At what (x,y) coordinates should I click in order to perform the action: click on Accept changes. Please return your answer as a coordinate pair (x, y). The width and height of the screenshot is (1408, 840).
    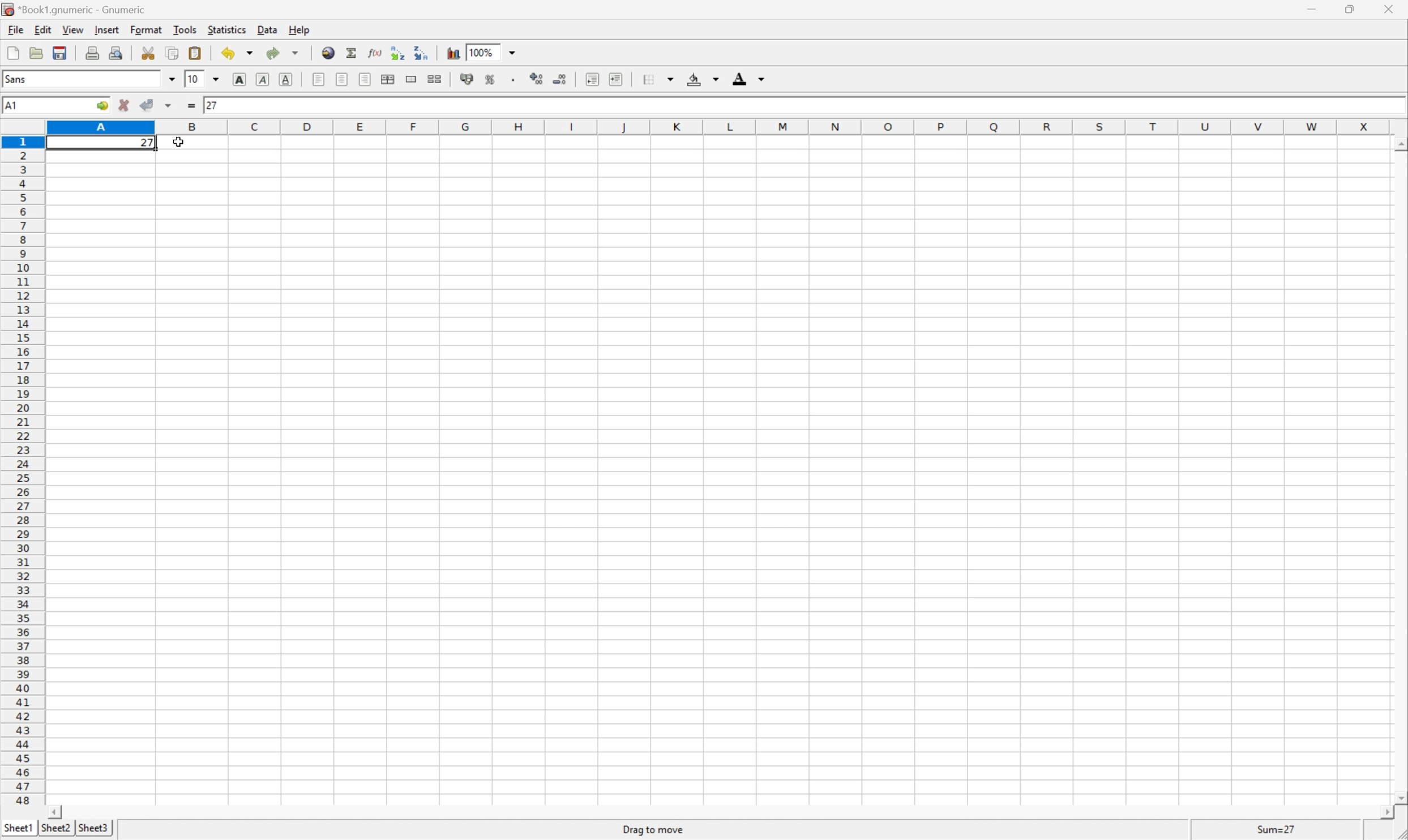
    Looking at the image, I should click on (146, 104).